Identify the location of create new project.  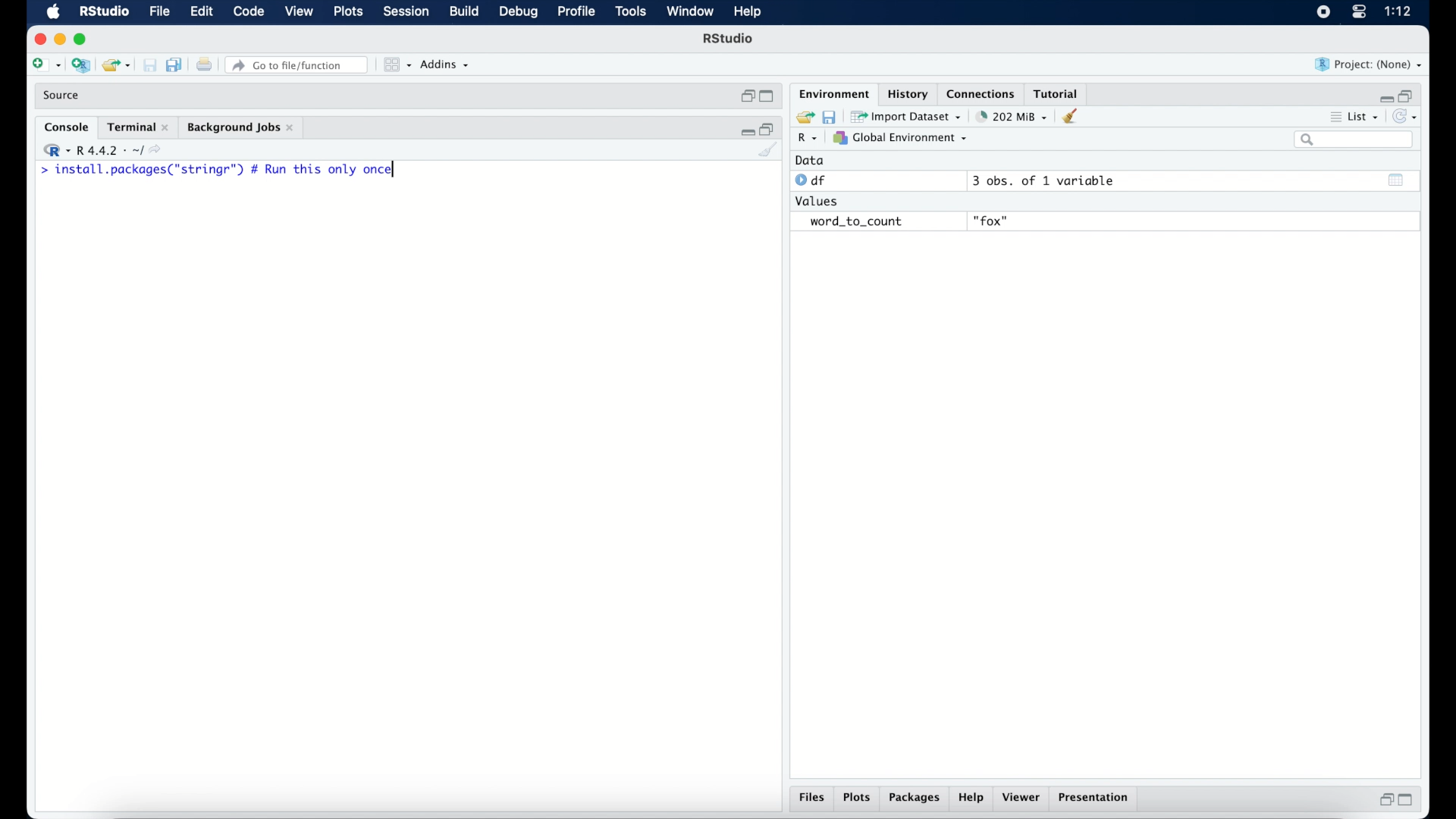
(80, 66).